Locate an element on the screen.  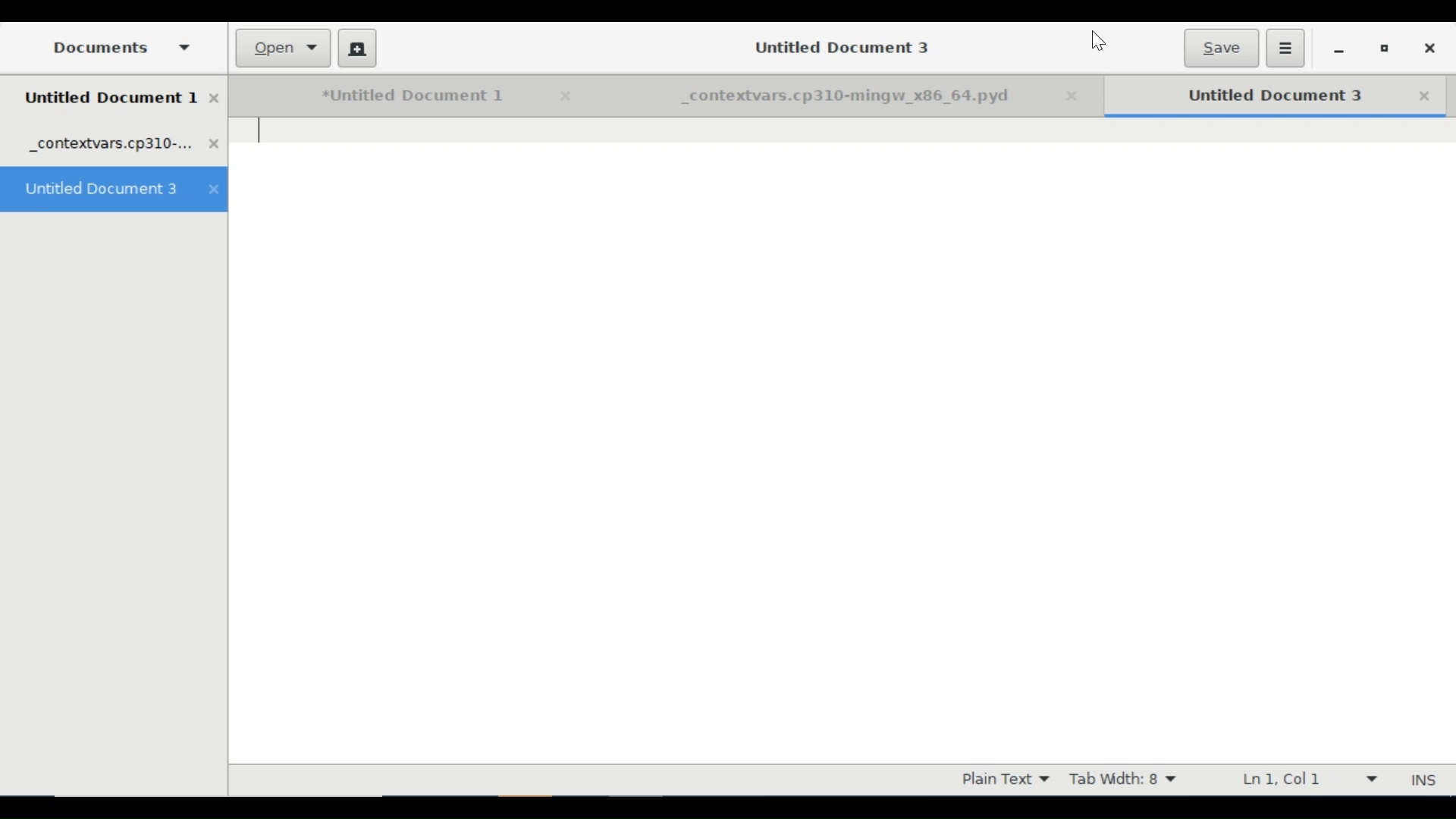
Close is located at coordinates (1425, 96).